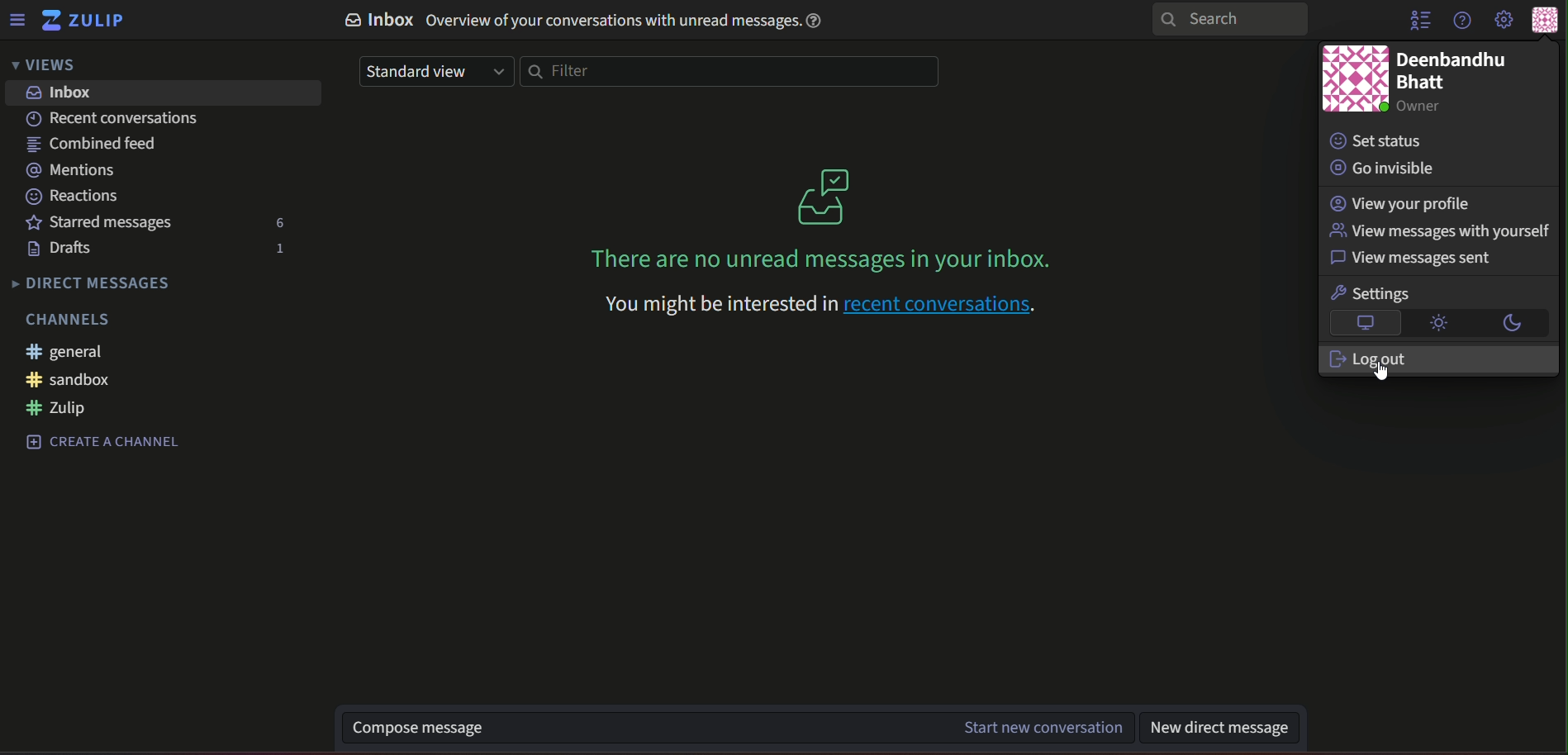 Image resolution: width=1568 pixels, height=755 pixels. What do you see at coordinates (115, 119) in the screenshot?
I see `text` at bounding box center [115, 119].